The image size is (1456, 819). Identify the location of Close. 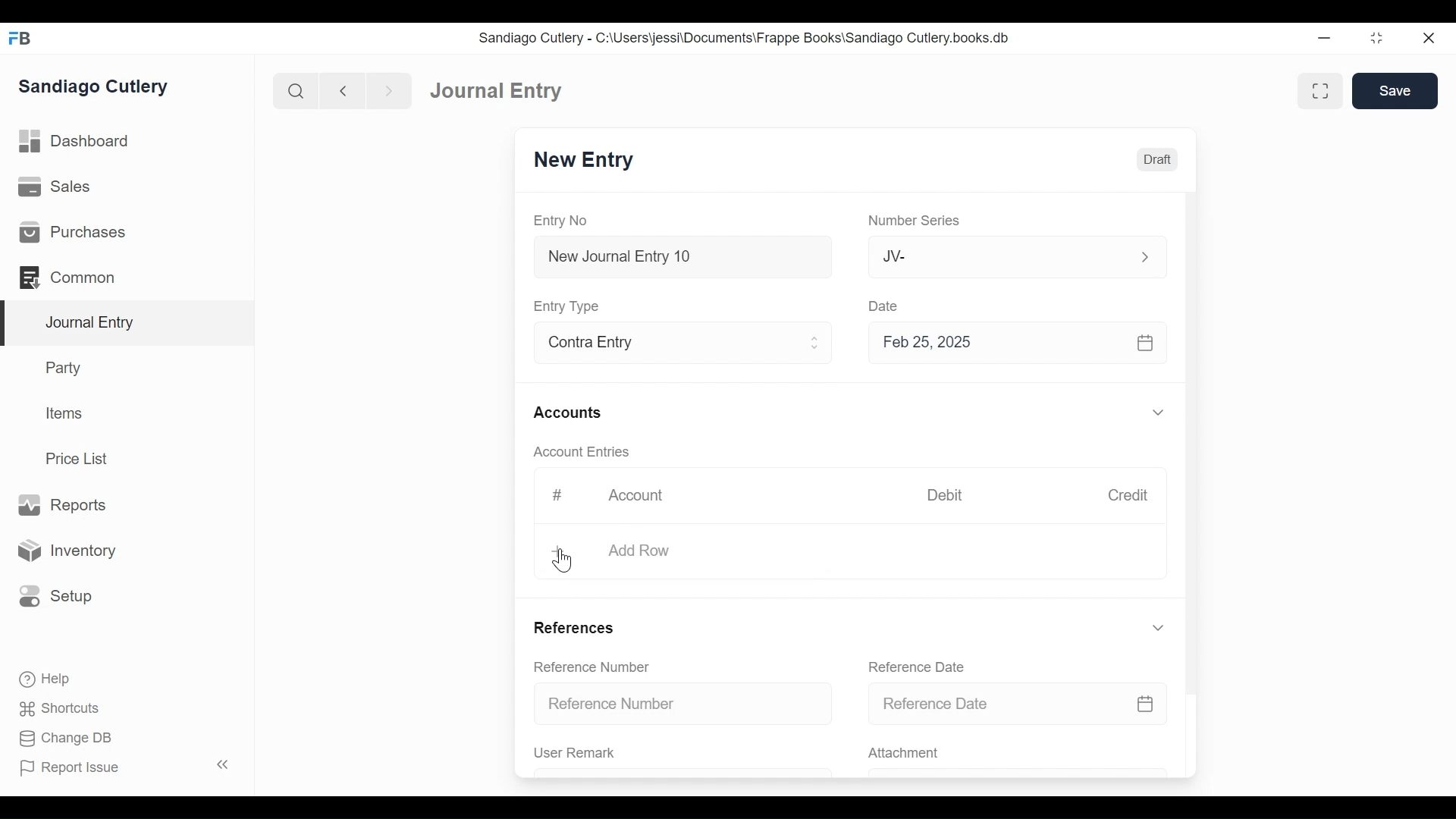
(1427, 39).